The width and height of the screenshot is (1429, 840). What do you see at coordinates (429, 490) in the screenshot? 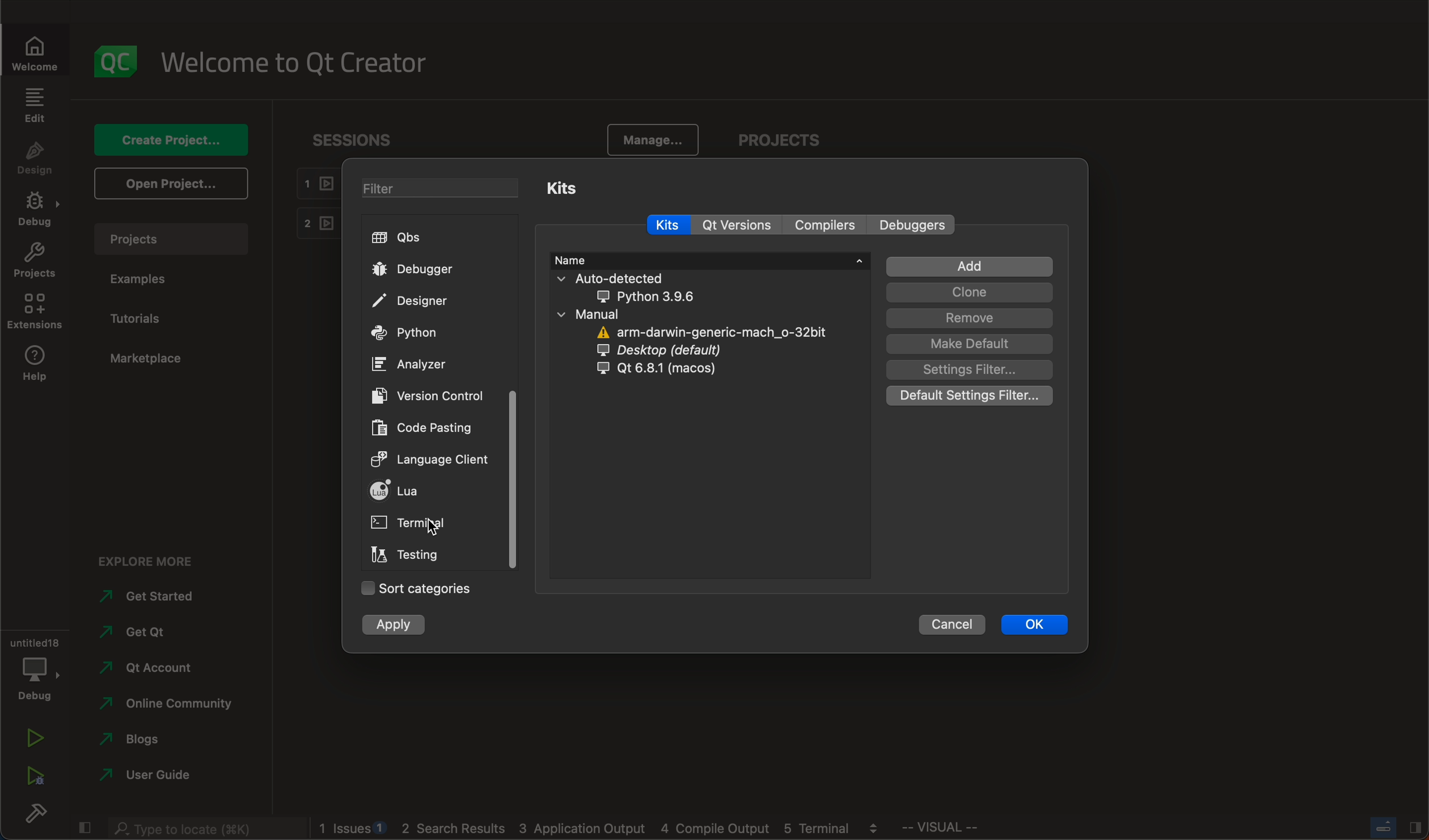
I see `lua` at bounding box center [429, 490].